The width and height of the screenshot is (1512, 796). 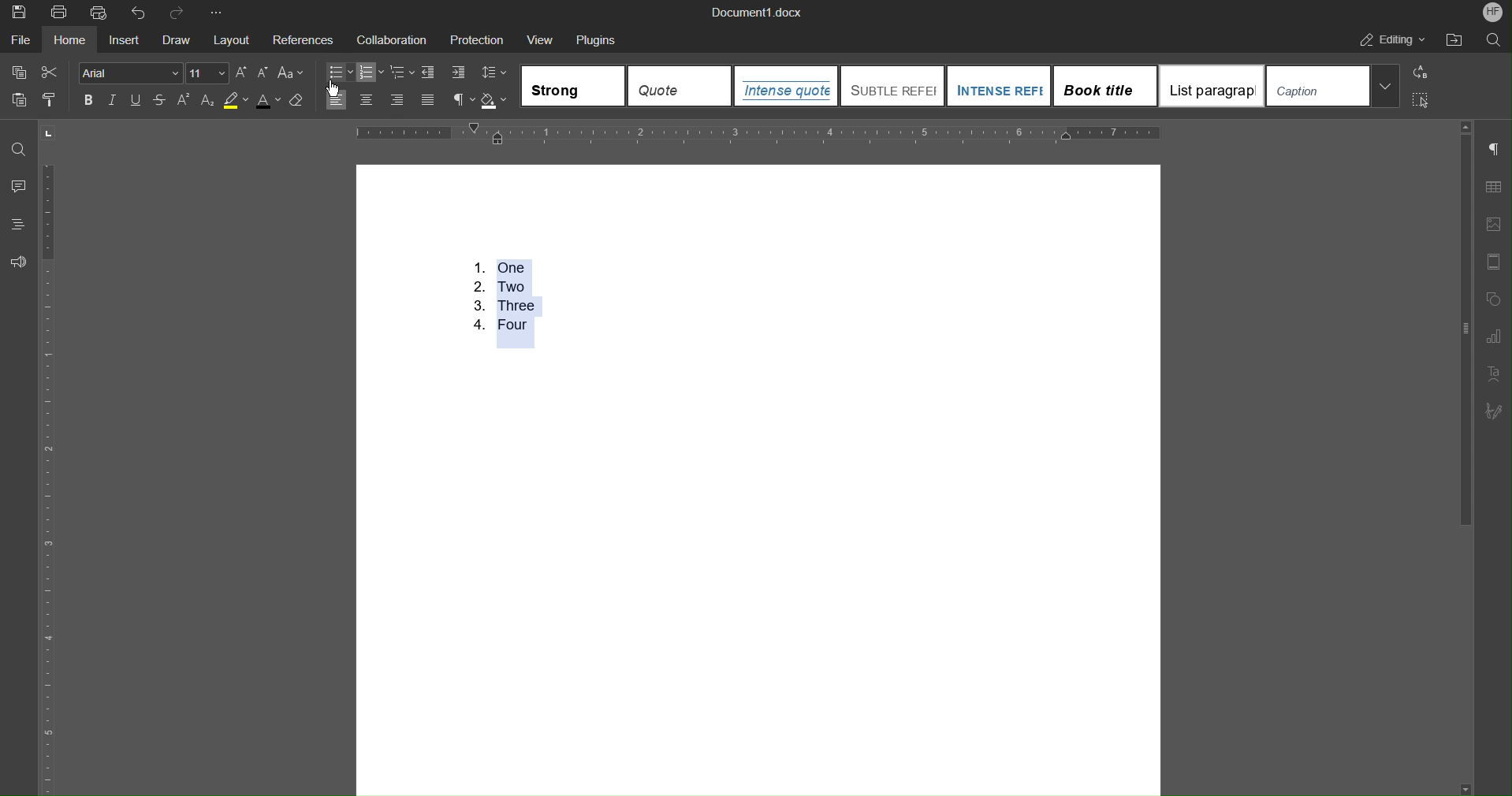 What do you see at coordinates (476, 38) in the screenshot?
I see `Protection` at bounding box center [476, 38].